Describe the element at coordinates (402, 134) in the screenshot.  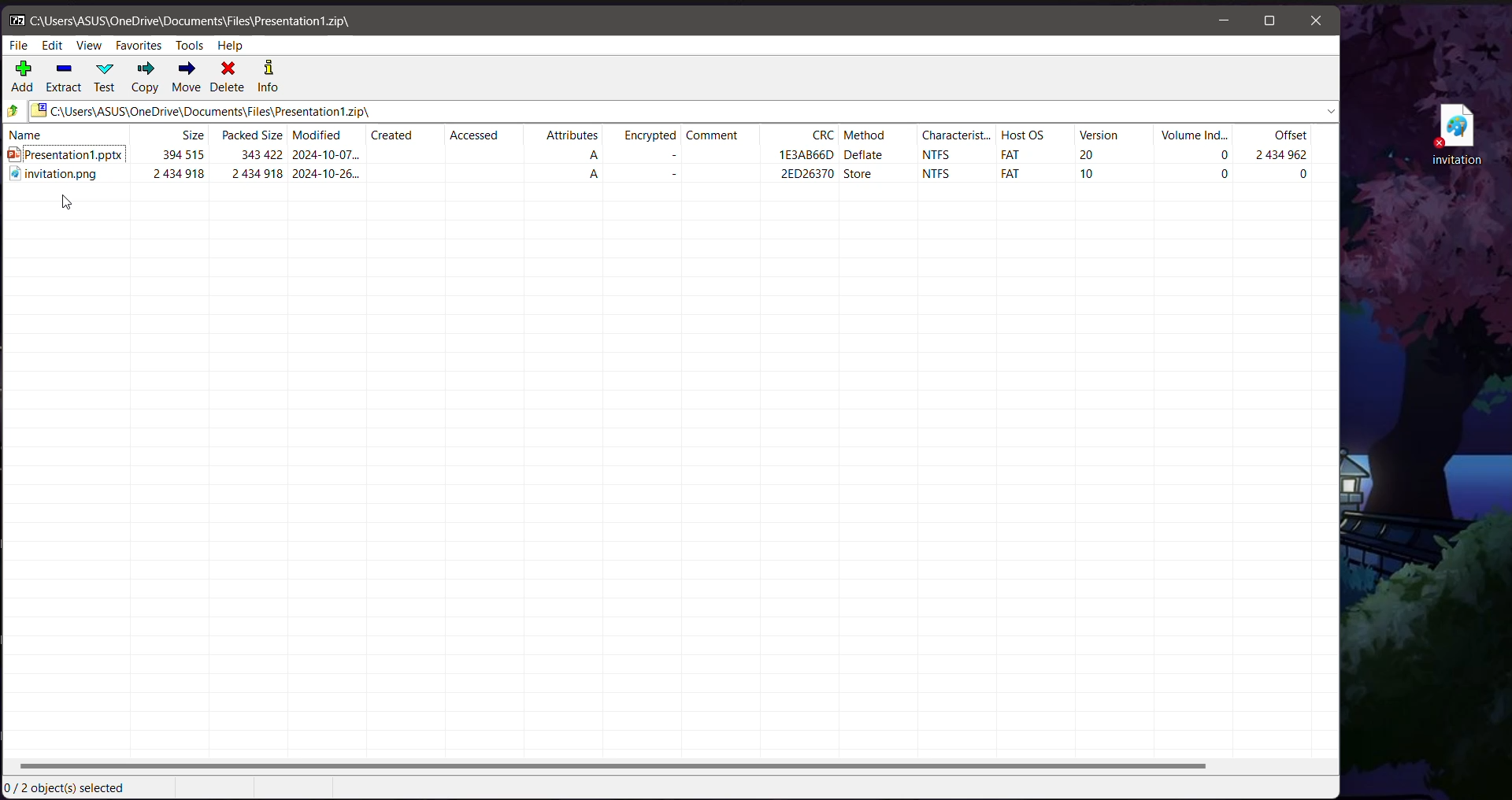
I see `Created` at that location.